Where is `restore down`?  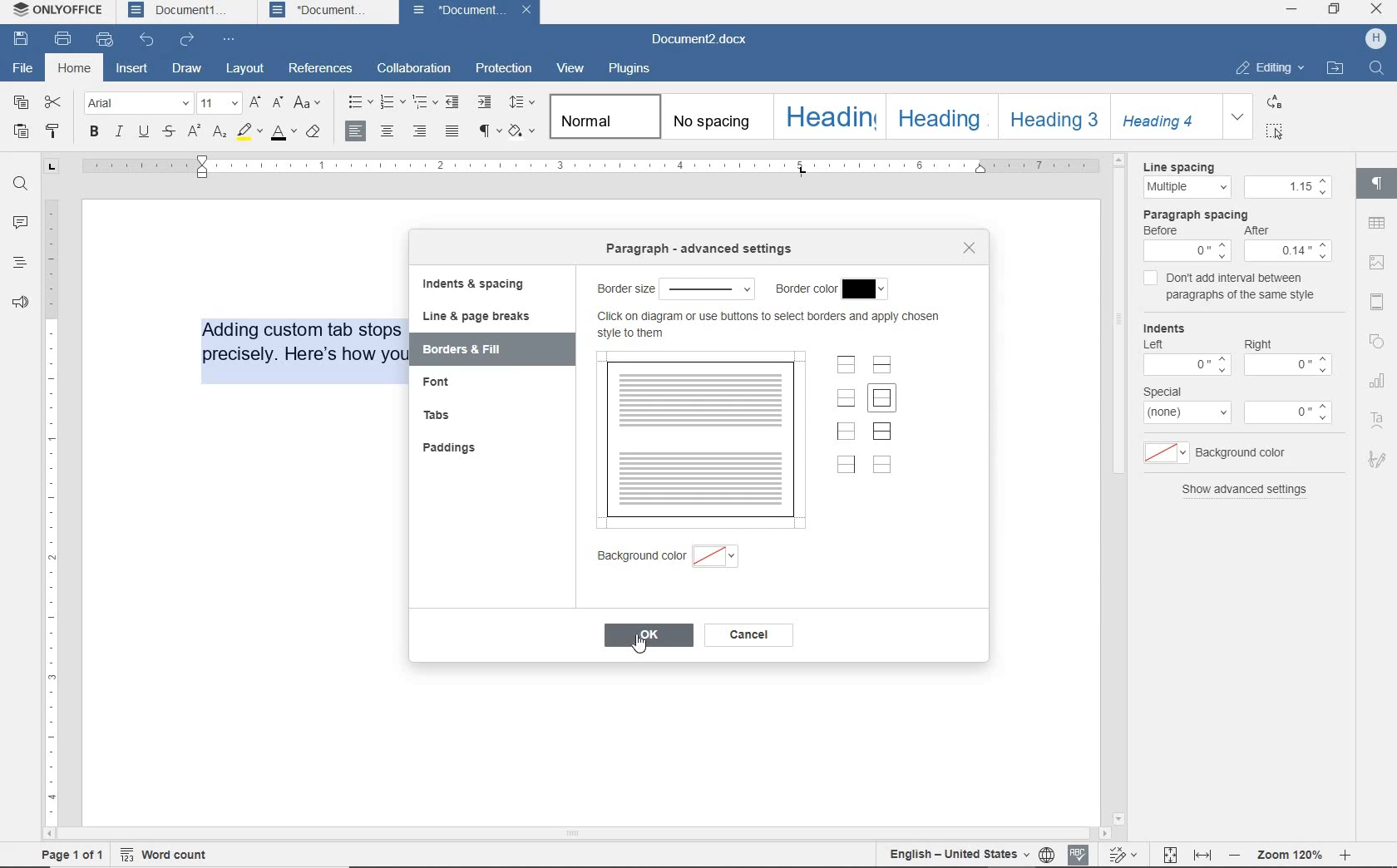 restore down is located at coordinates (1335, 8).